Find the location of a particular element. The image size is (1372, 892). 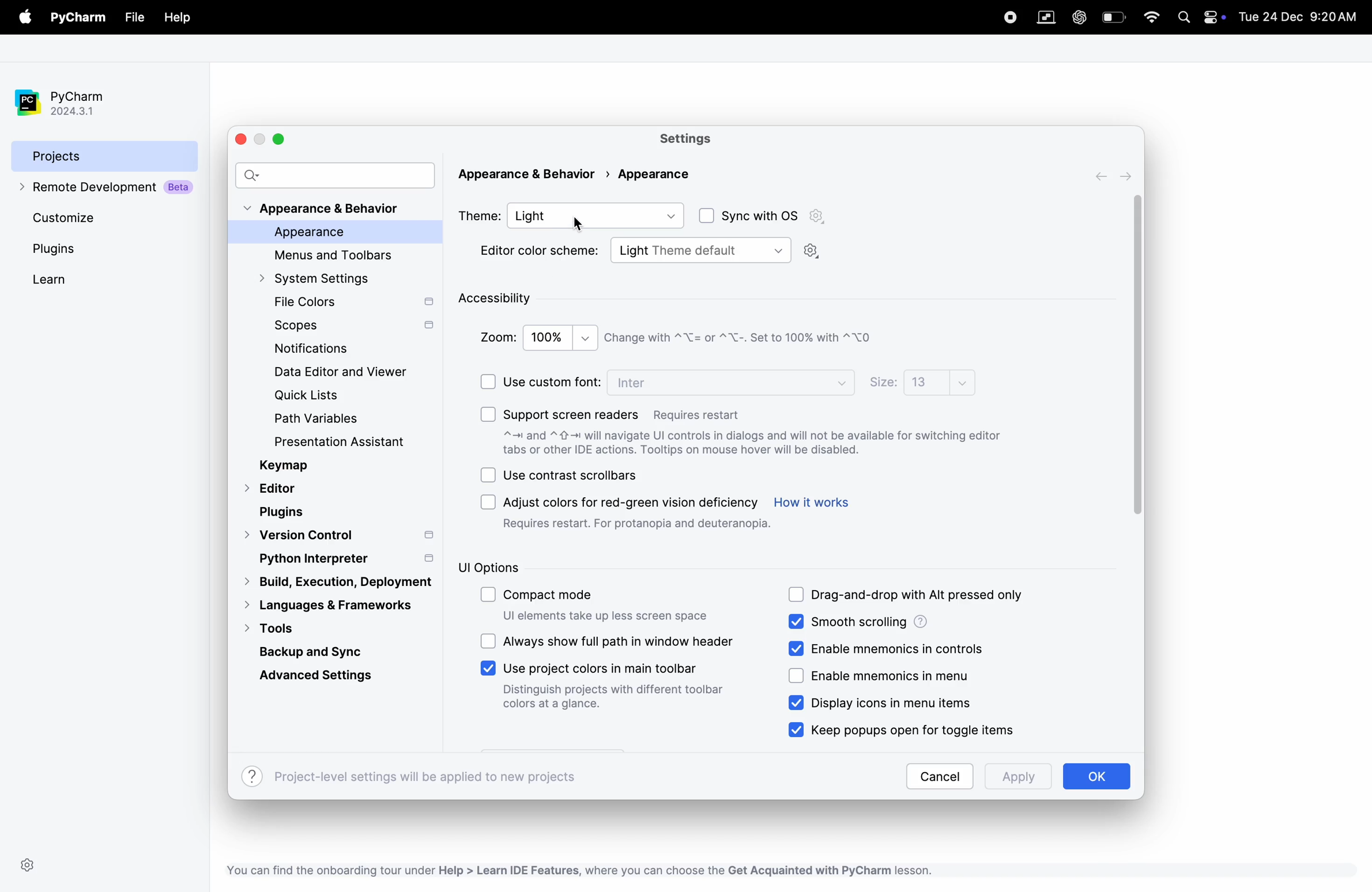

presenatation assistant is located at coordinates (357, 444).